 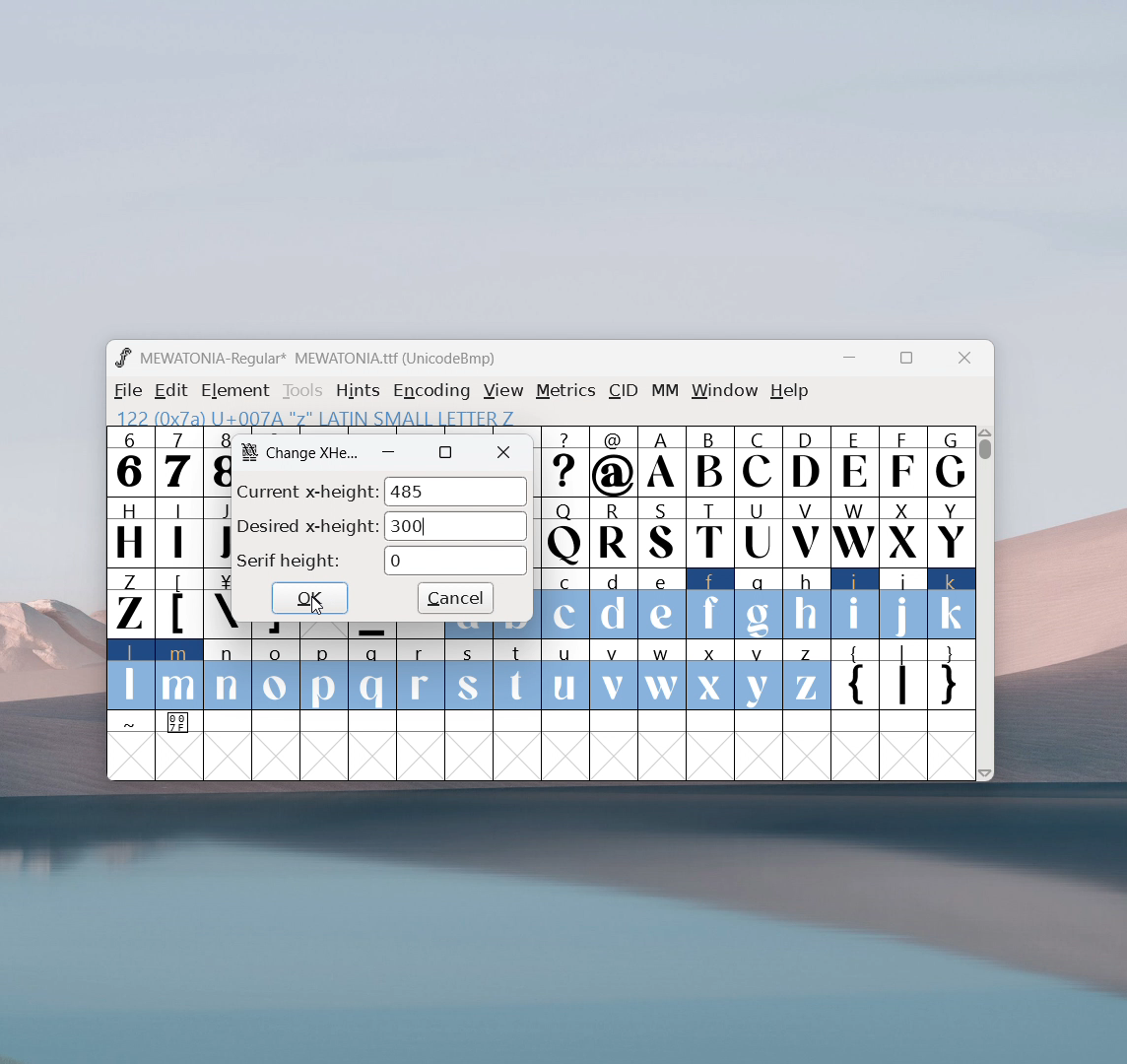 I want to click on Y, so click(x=952, y=531).